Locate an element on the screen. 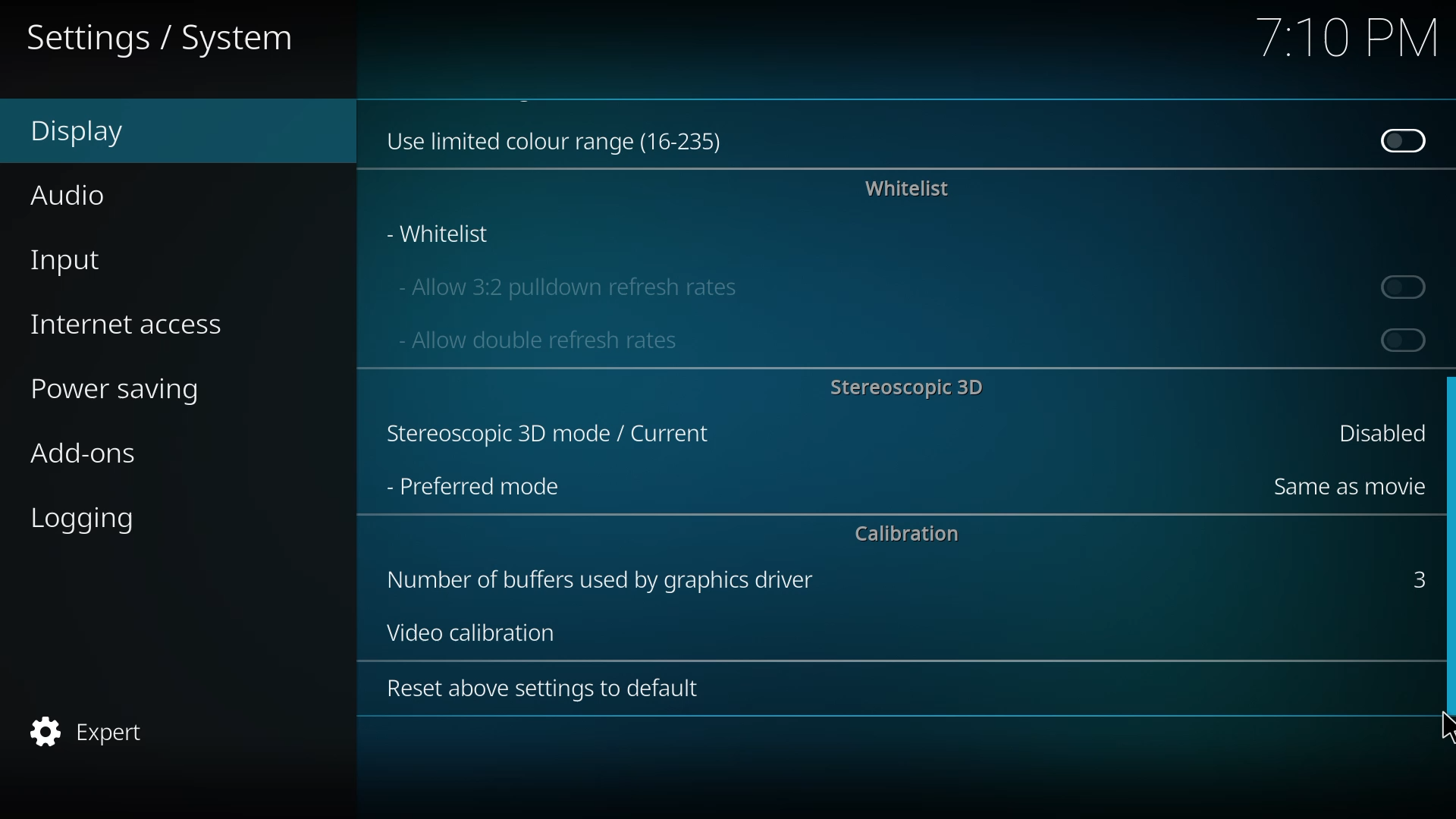  stereoscopic 3d is located at coordinates (905, 386).